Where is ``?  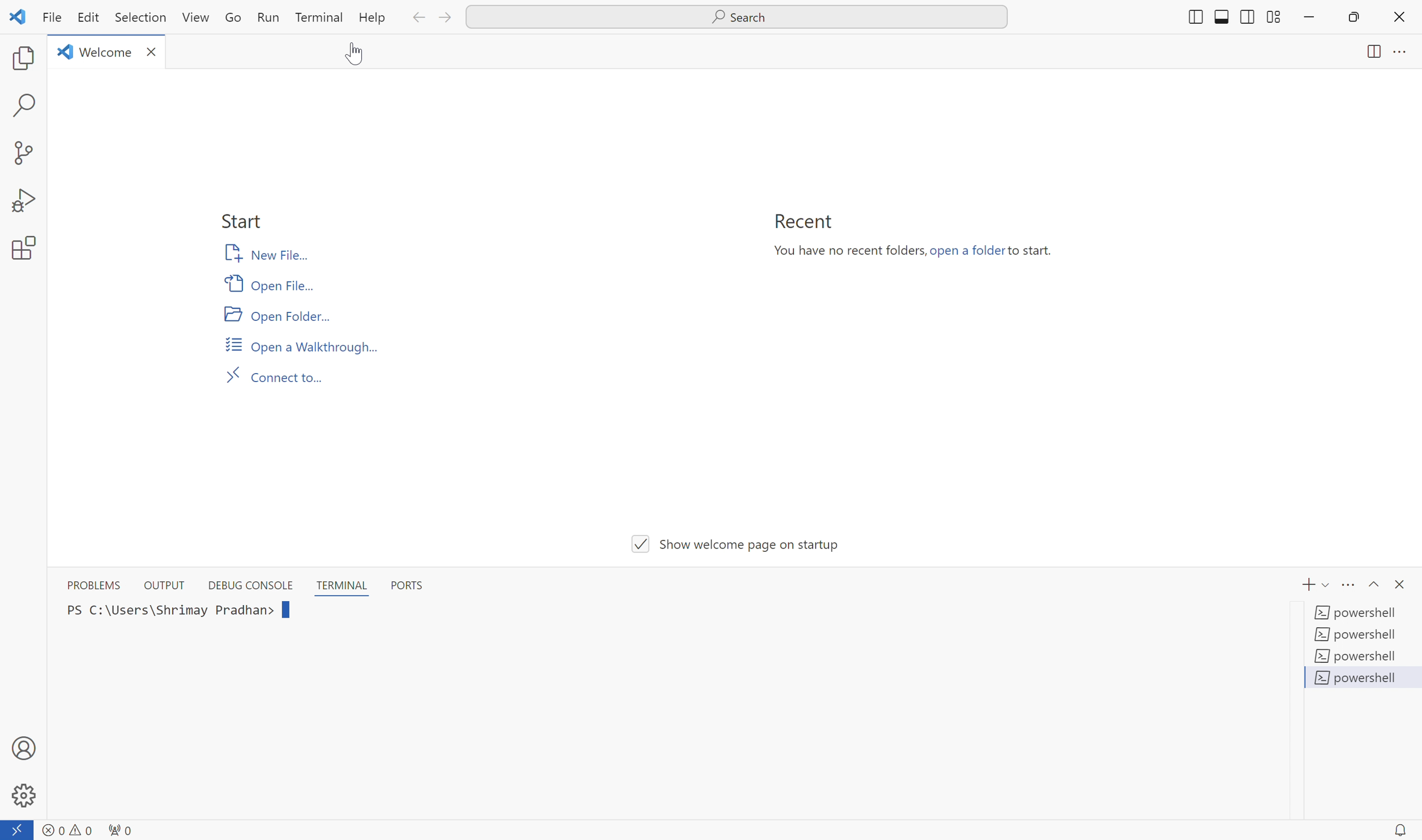
 is located at coordinates (1193, 18).